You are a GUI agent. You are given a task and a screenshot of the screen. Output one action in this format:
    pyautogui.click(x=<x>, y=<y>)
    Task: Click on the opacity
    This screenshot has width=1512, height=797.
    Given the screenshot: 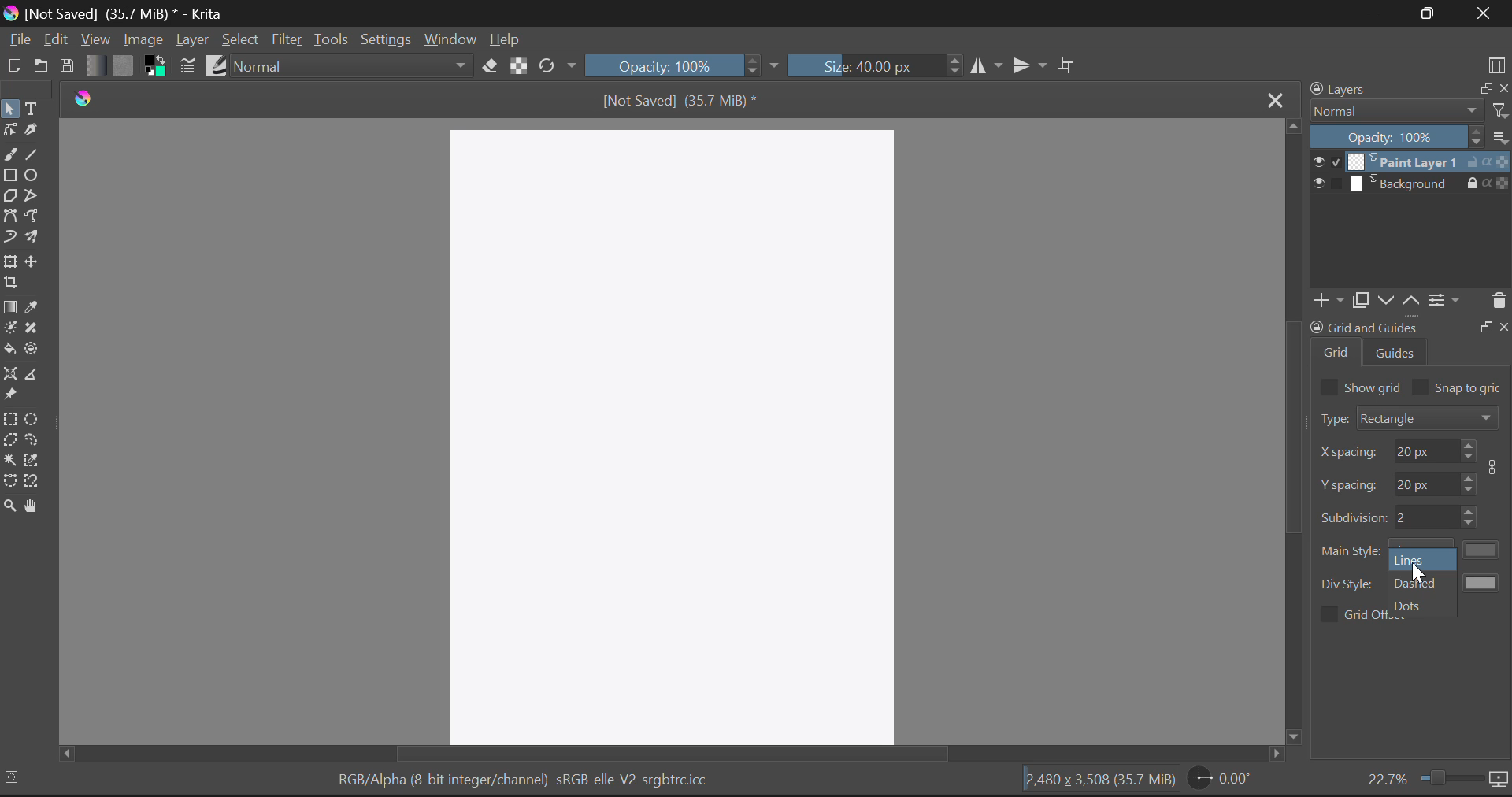 What is the action you would take?
    pyautogui.click(x=1397, y=136)
    